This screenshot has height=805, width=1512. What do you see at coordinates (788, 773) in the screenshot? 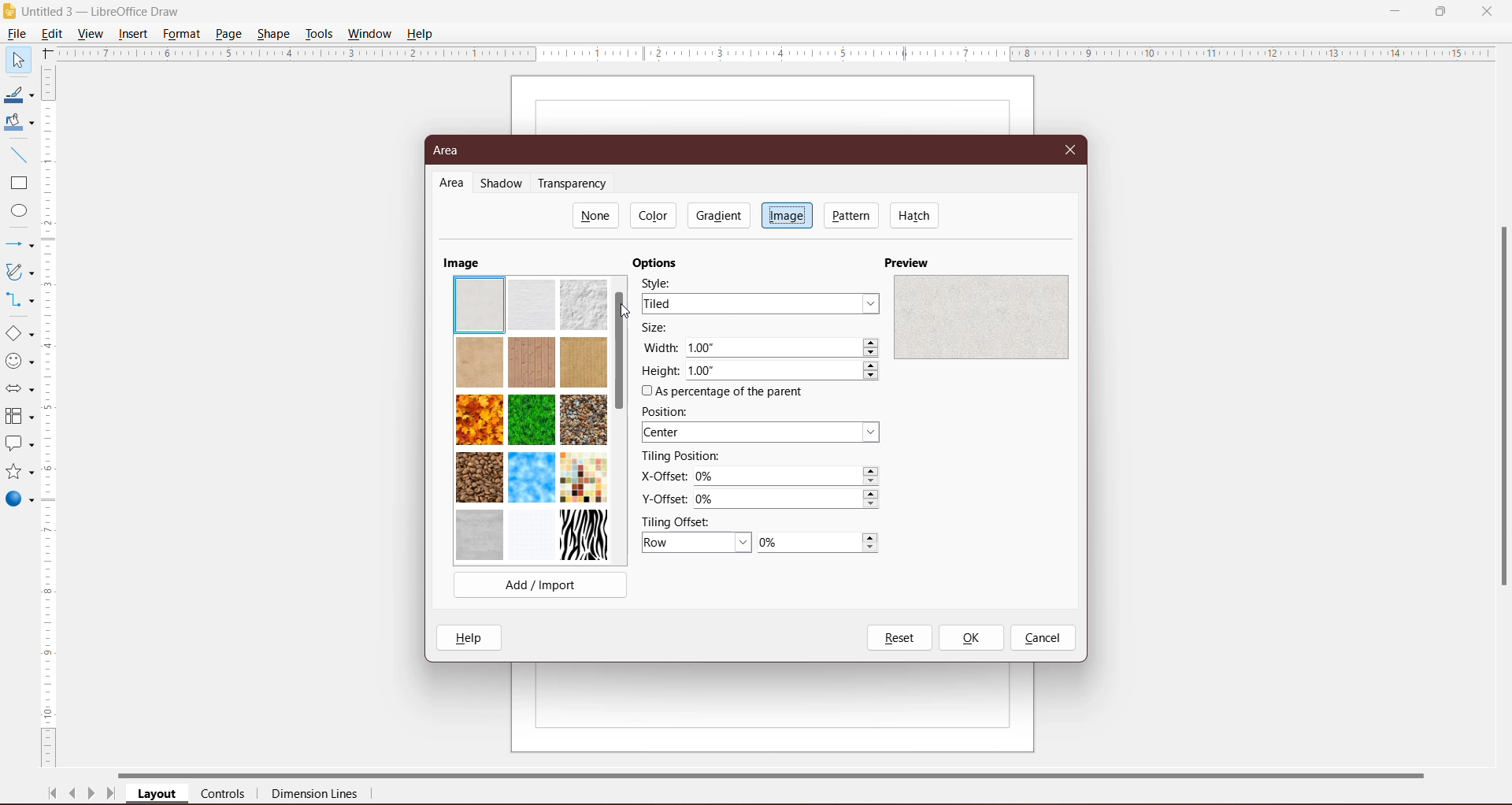
I see `Horizontal Scroll Bar` at bounding box center [788, 773].